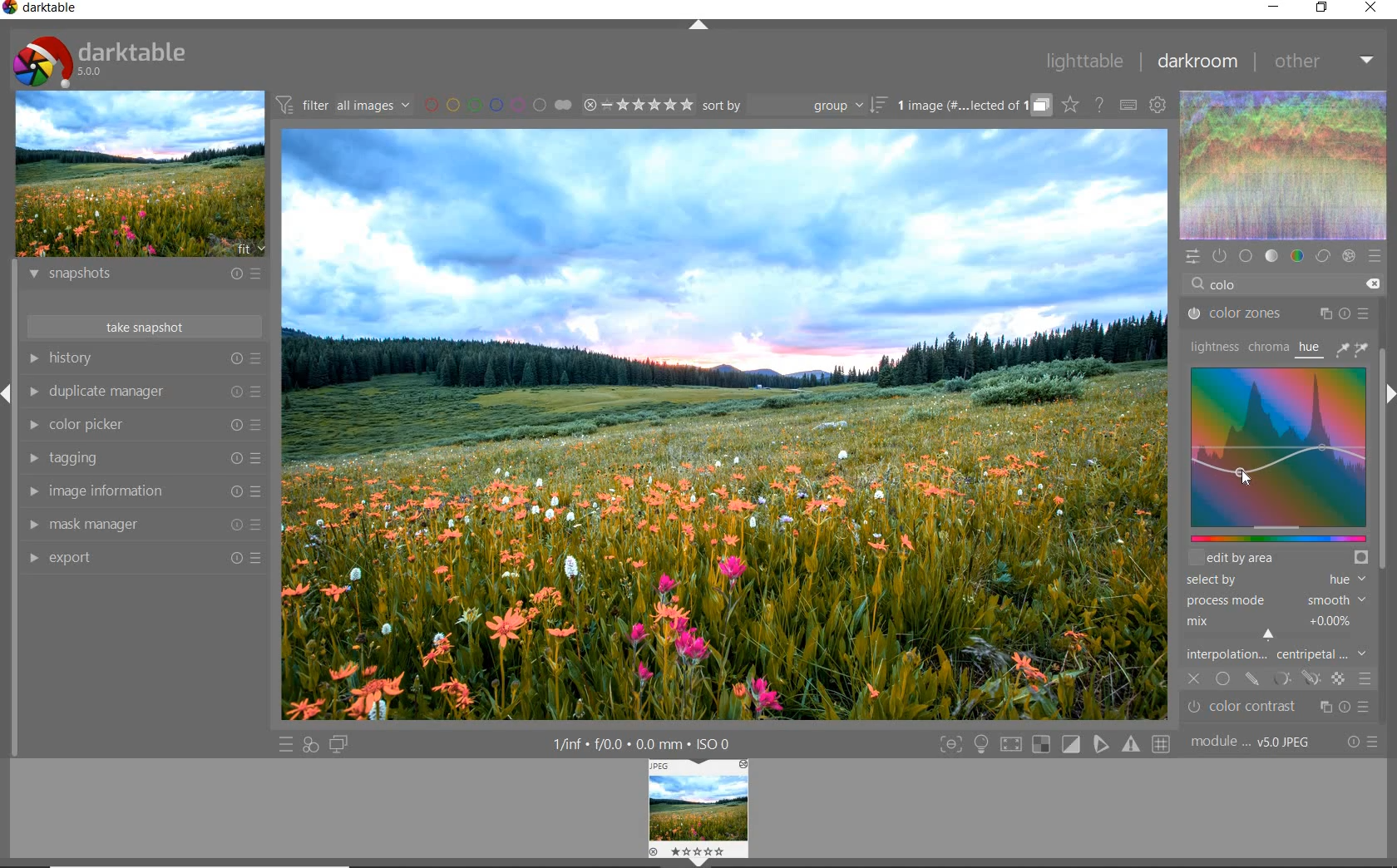 This screenshot has height=868, width=1397. I want to click on slider, so click(1276, 538).